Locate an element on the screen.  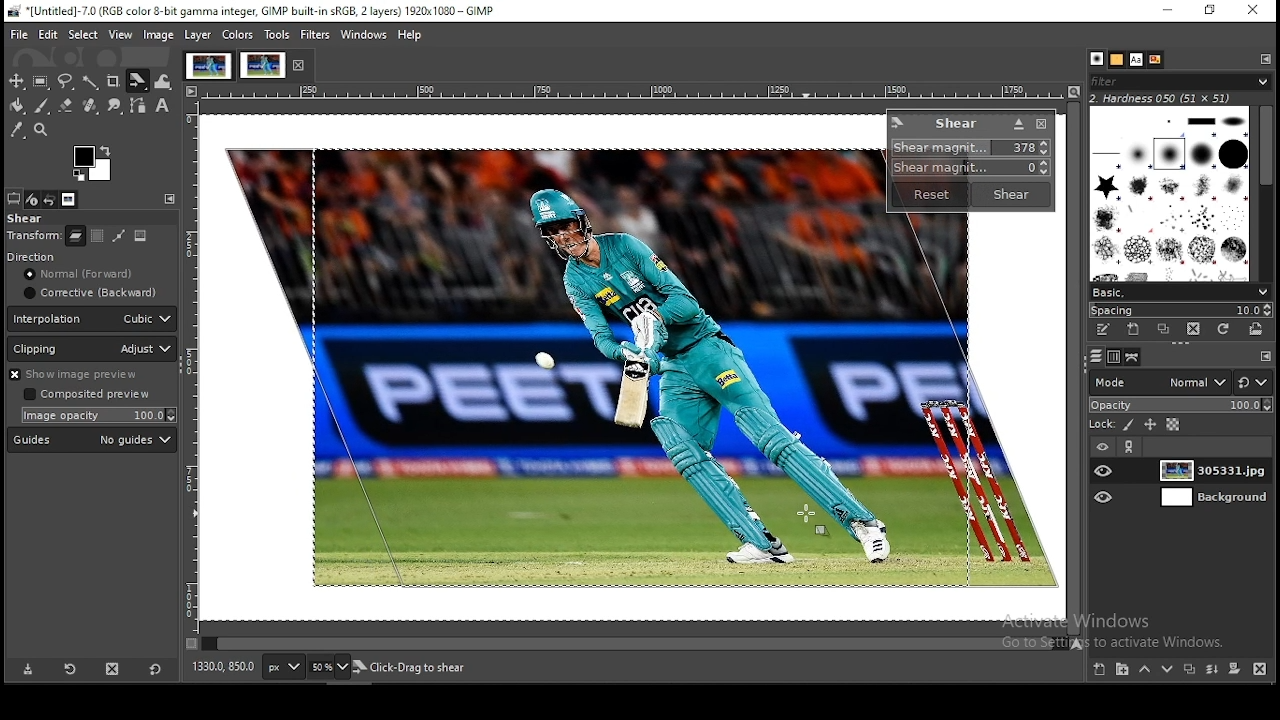
direction is located at coordinates (57, 256).